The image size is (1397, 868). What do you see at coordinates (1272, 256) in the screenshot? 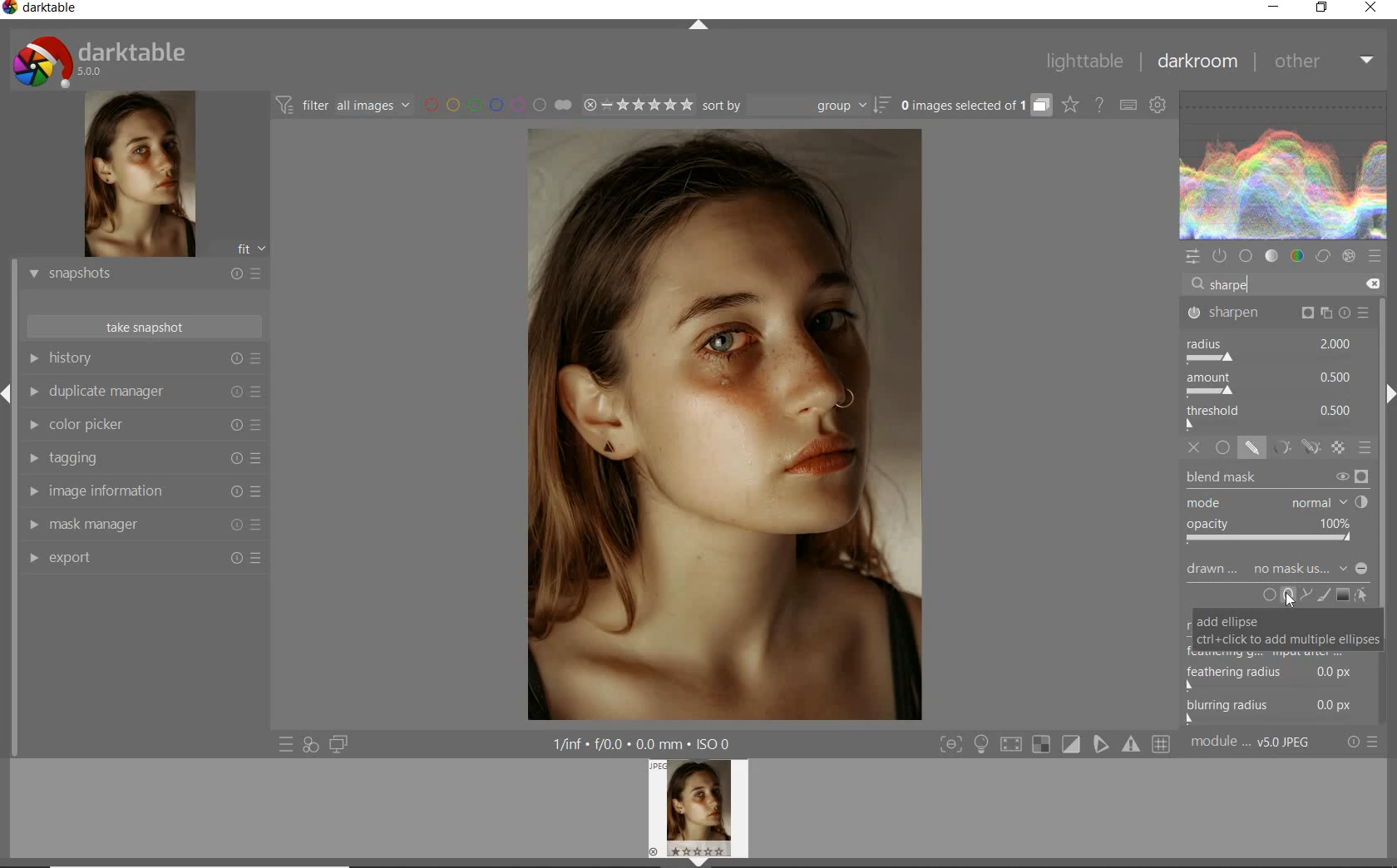
I see `tone` at bounding box center [1272, 256].